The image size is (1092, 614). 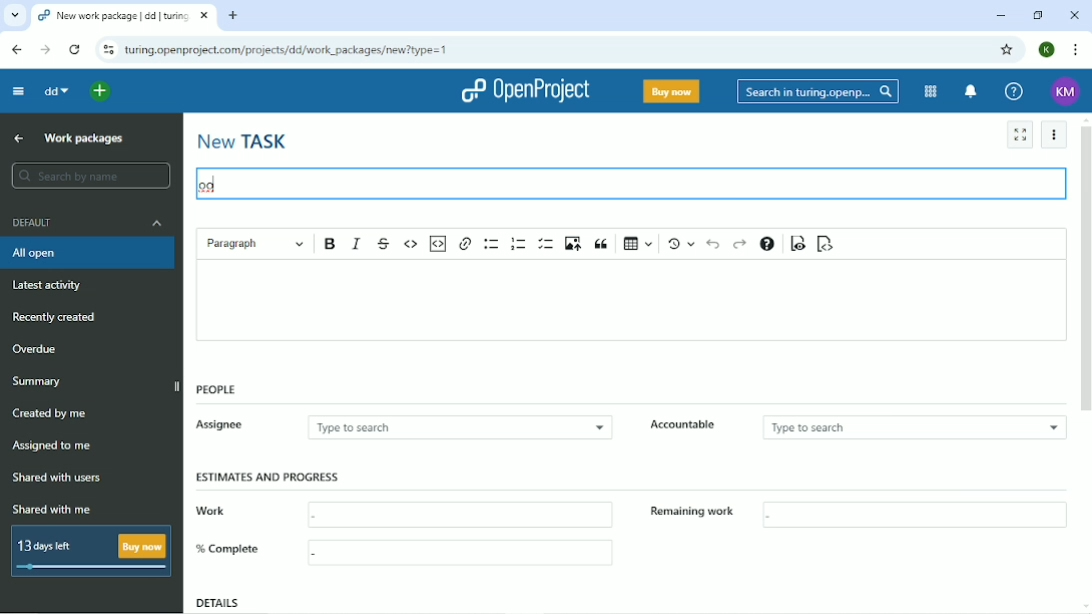 I want to click on Reload this page, so click(x=76, y=50).